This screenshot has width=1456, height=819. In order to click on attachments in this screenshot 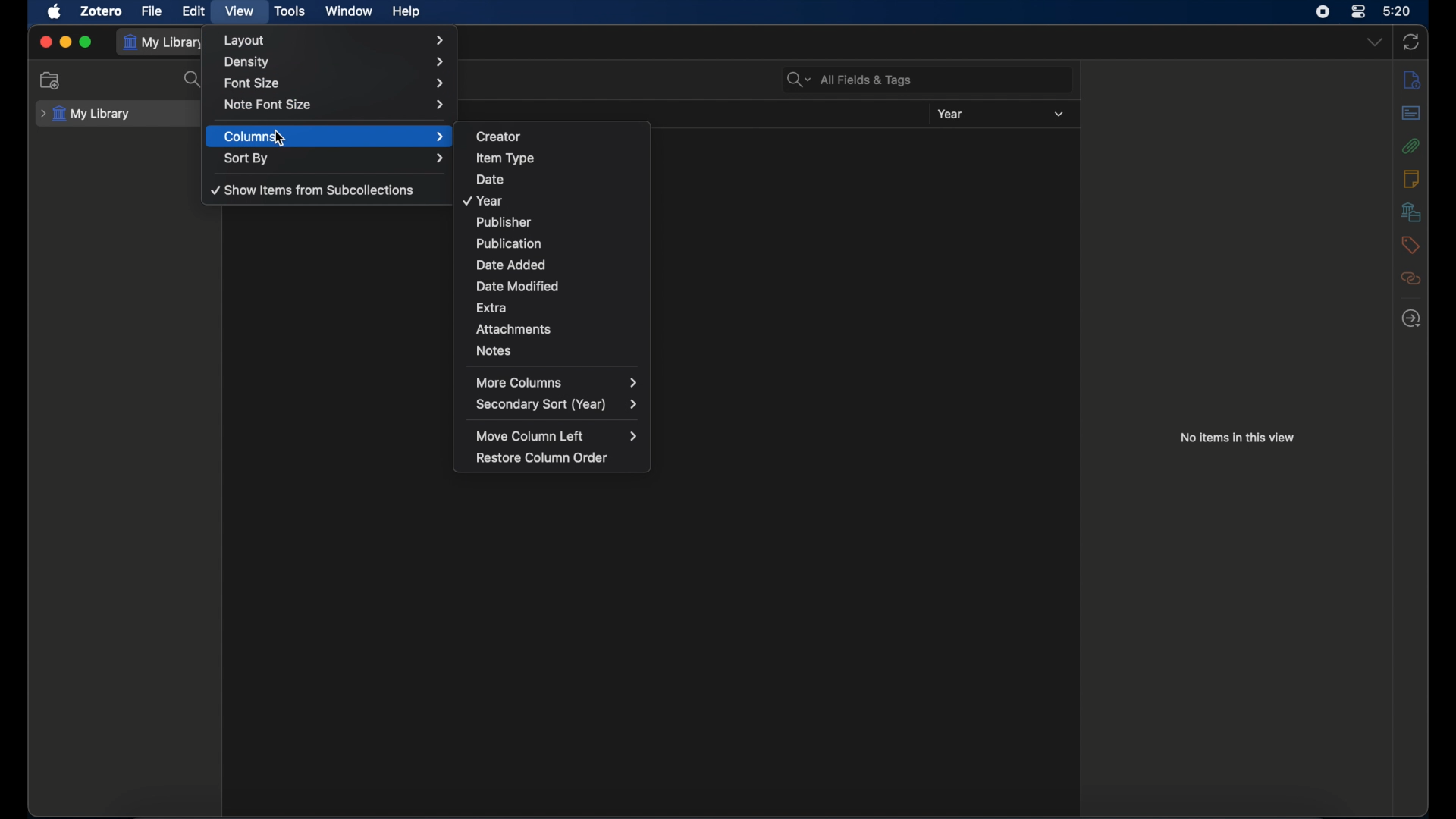, I will do `click(1411, 145)`.